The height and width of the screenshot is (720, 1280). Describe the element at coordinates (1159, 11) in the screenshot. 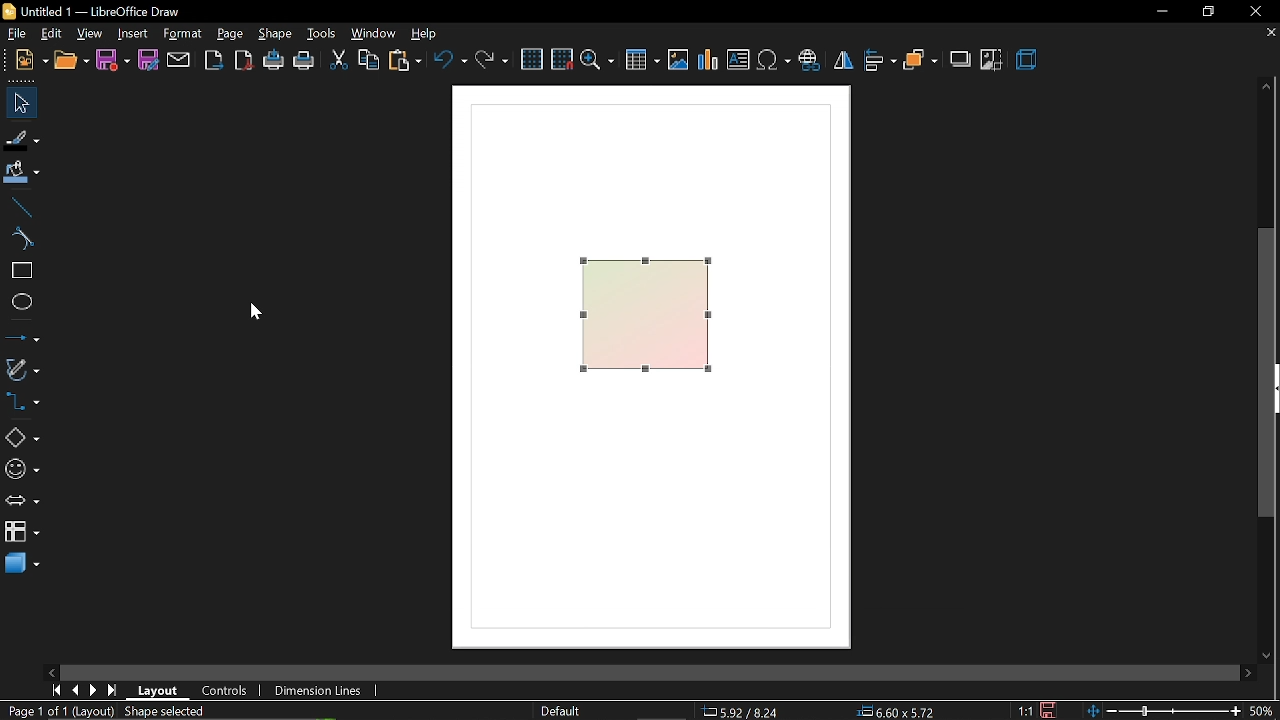

I see `Minimize` at that location.